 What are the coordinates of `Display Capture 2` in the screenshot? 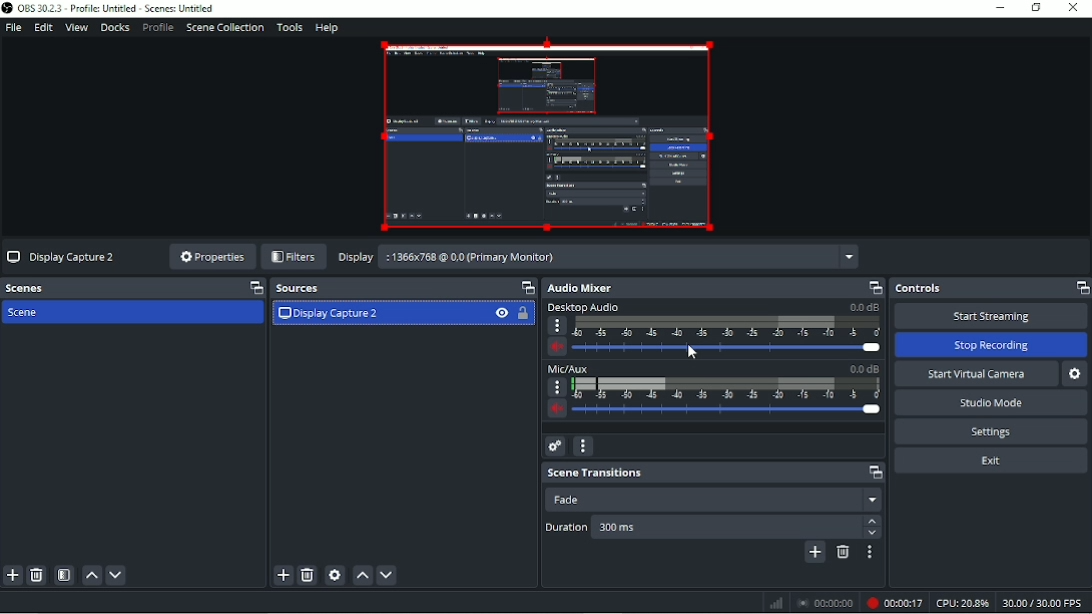 It's located at (64, 258).